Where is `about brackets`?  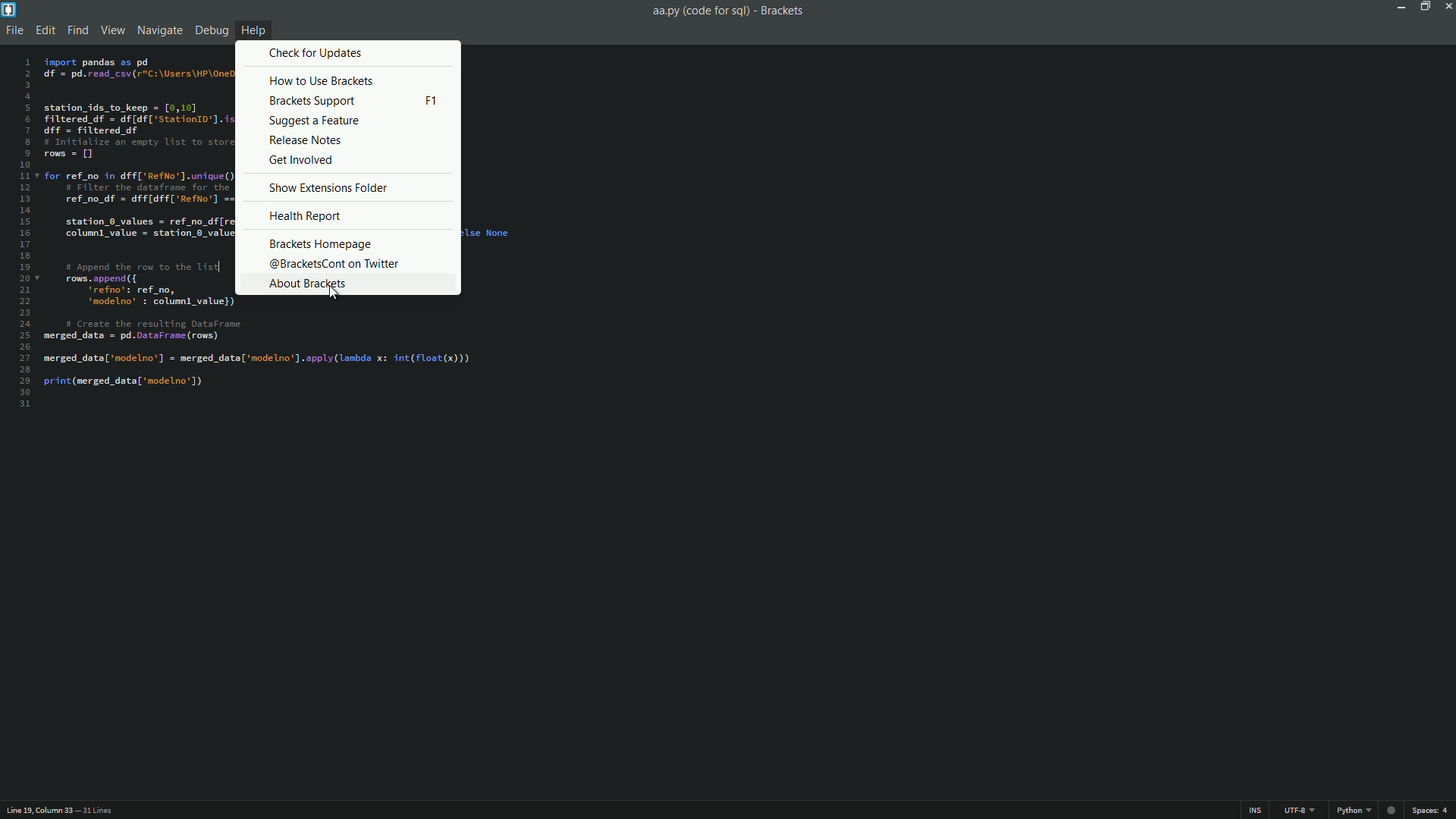
about brackets is located at coordinates (307, 283).